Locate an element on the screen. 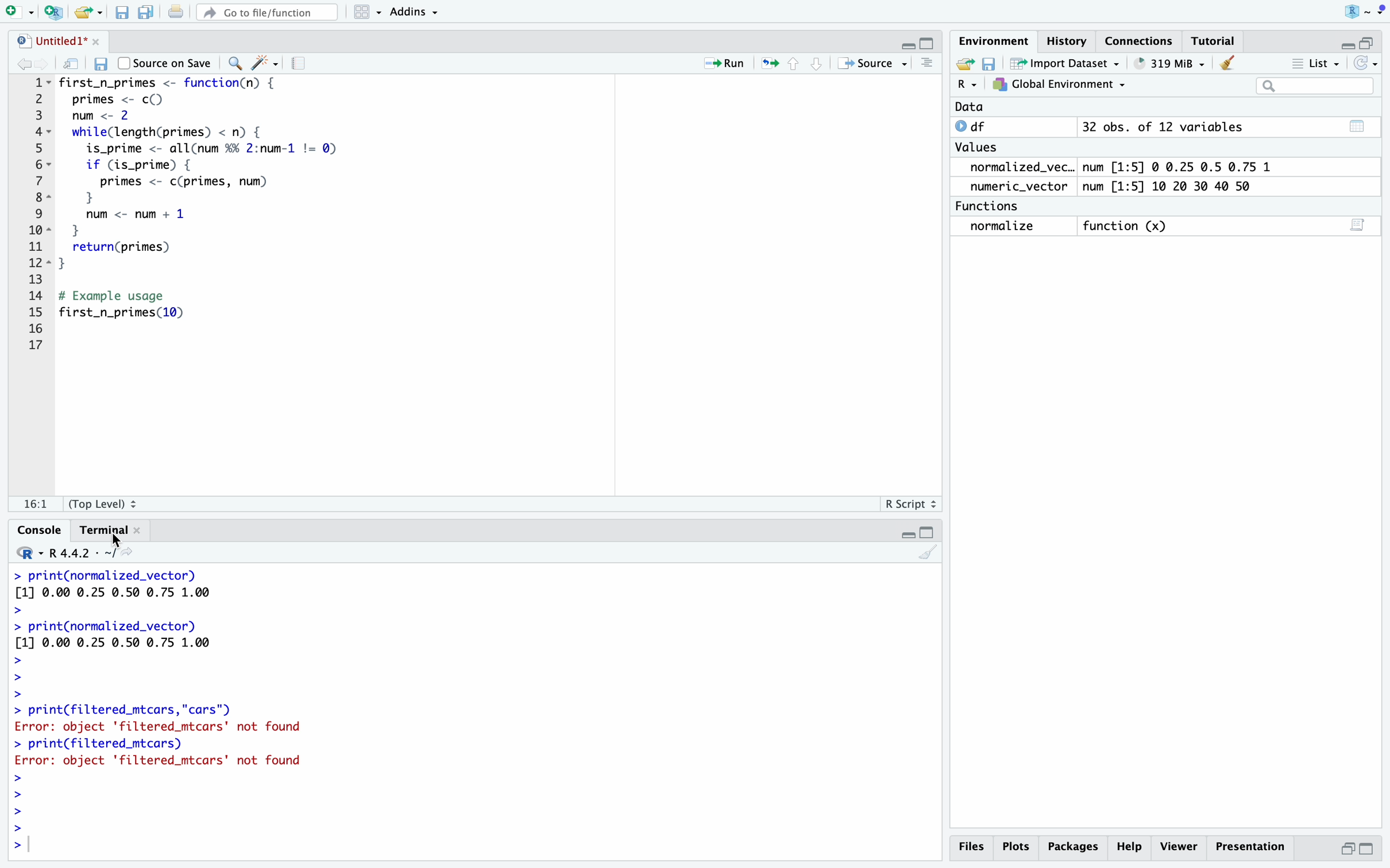  normalized_vec.. num [1:5] @ 0.25 0.5 0.75 1 is located at coordinates (1125, 166).